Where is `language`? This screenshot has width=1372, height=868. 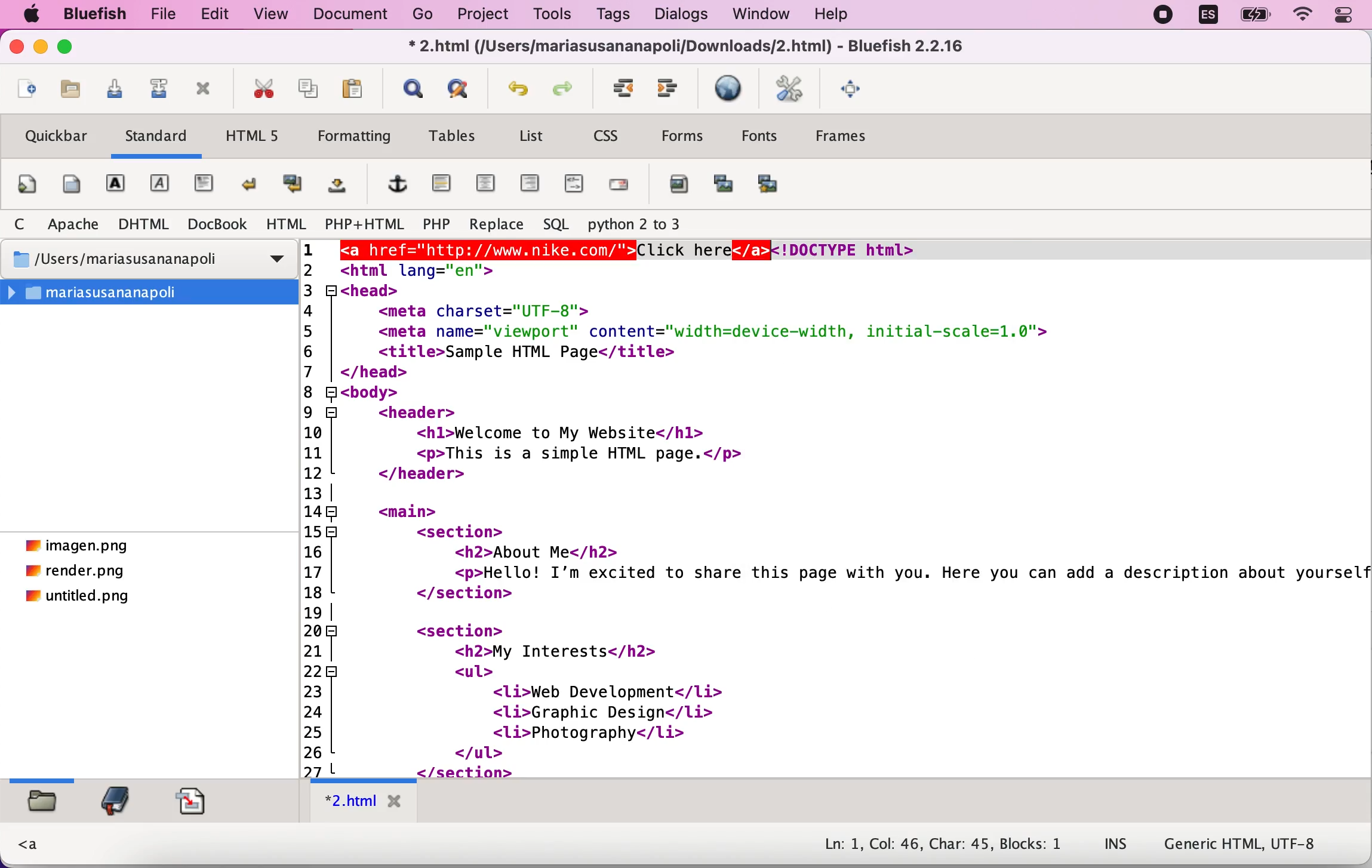
language is located at coordinates (1210, 18).